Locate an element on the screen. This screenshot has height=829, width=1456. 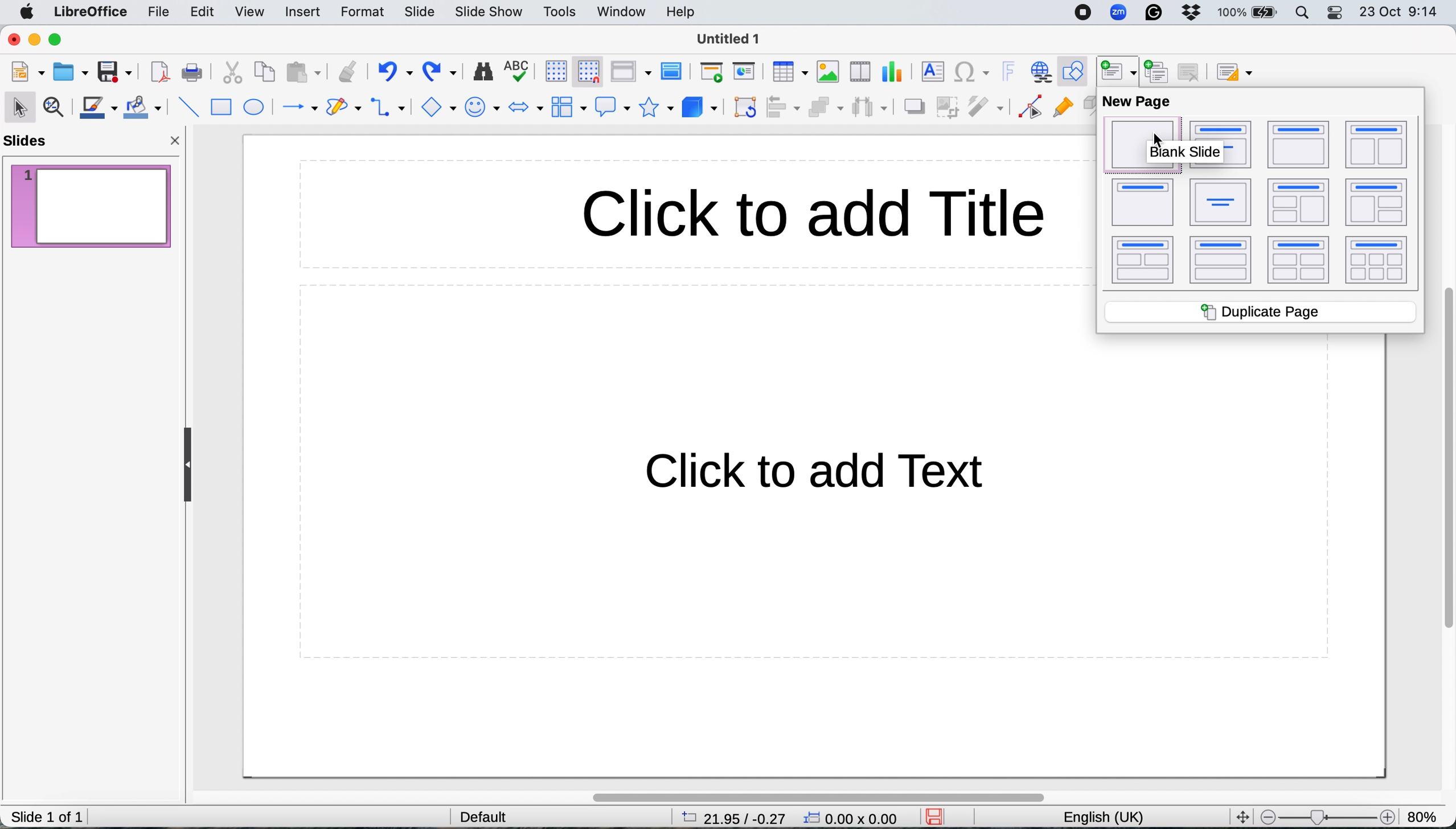
display views is located at coordinates (633, 72).